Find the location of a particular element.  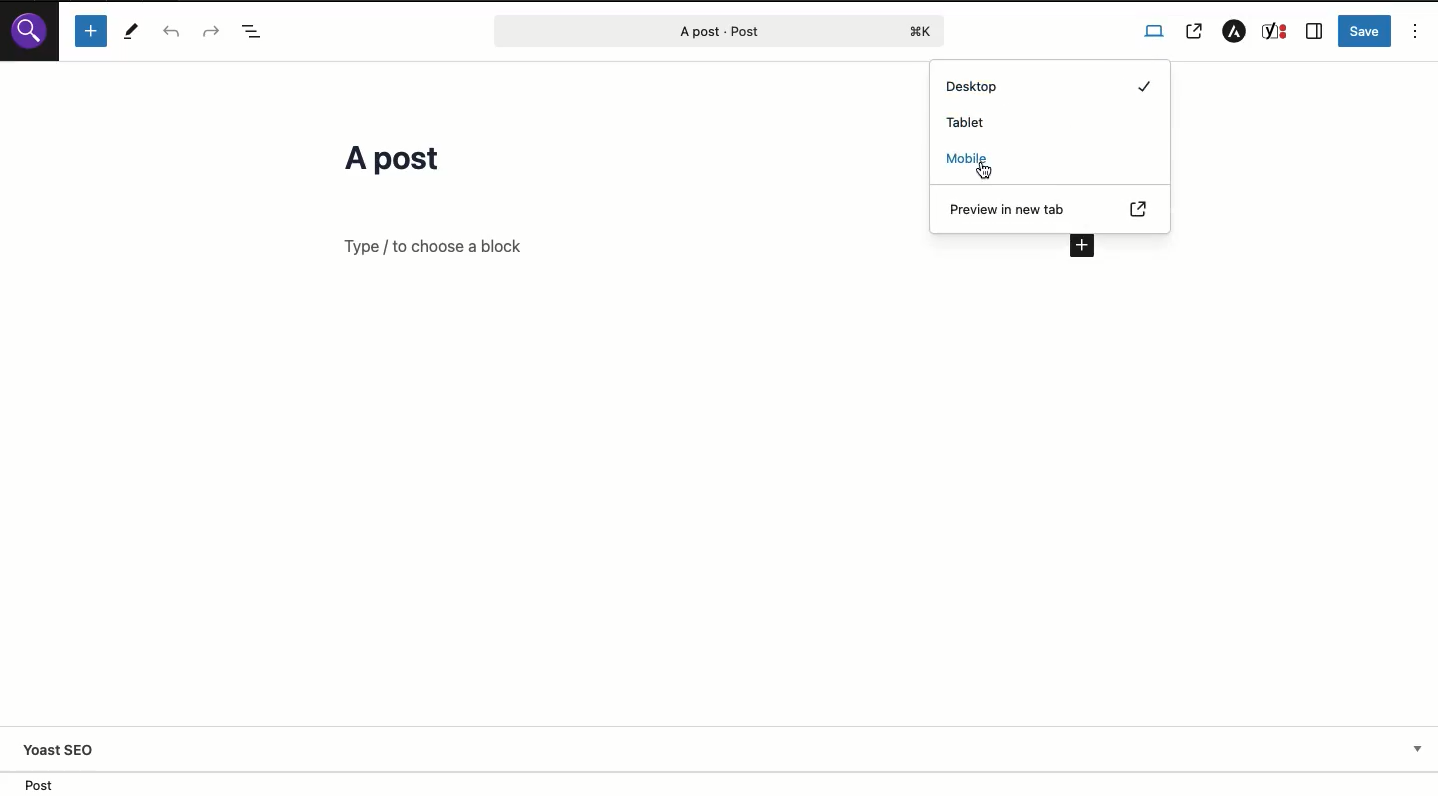

Tools is located at coordinates (130, 32).